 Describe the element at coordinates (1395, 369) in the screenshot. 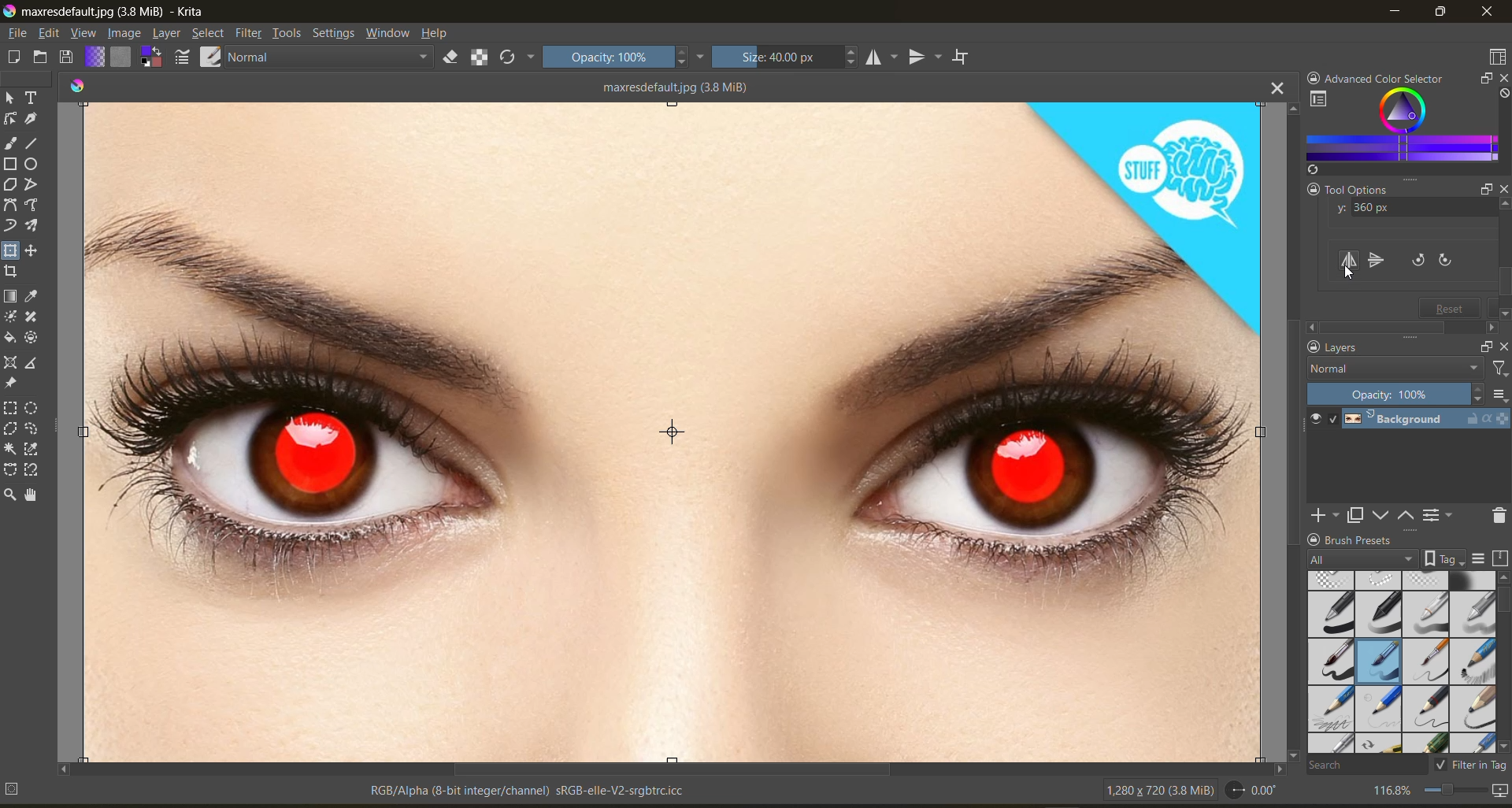

I see `normal` at that location.